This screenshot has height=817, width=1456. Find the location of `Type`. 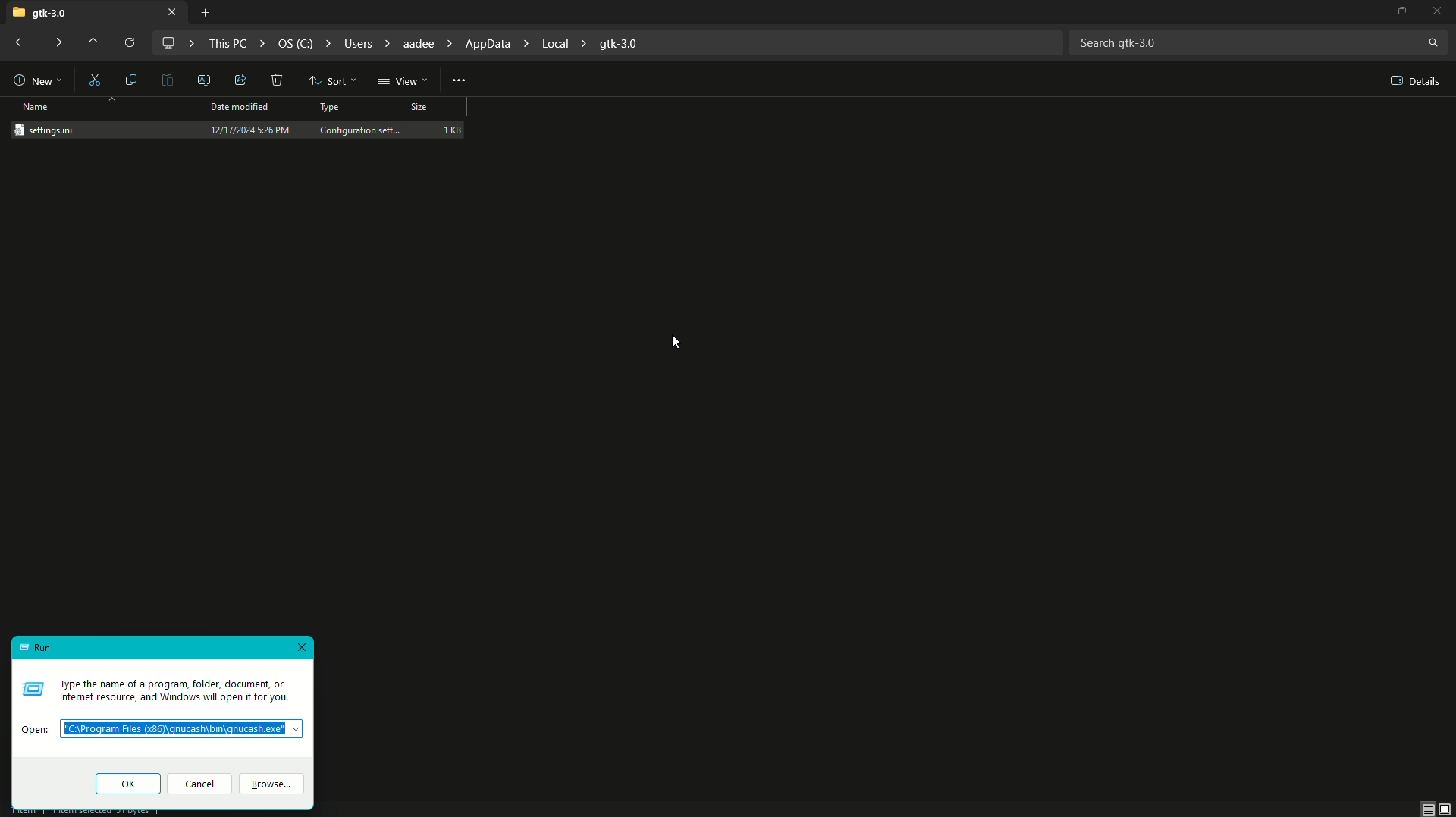

Type is located at coordinates (332, 108).